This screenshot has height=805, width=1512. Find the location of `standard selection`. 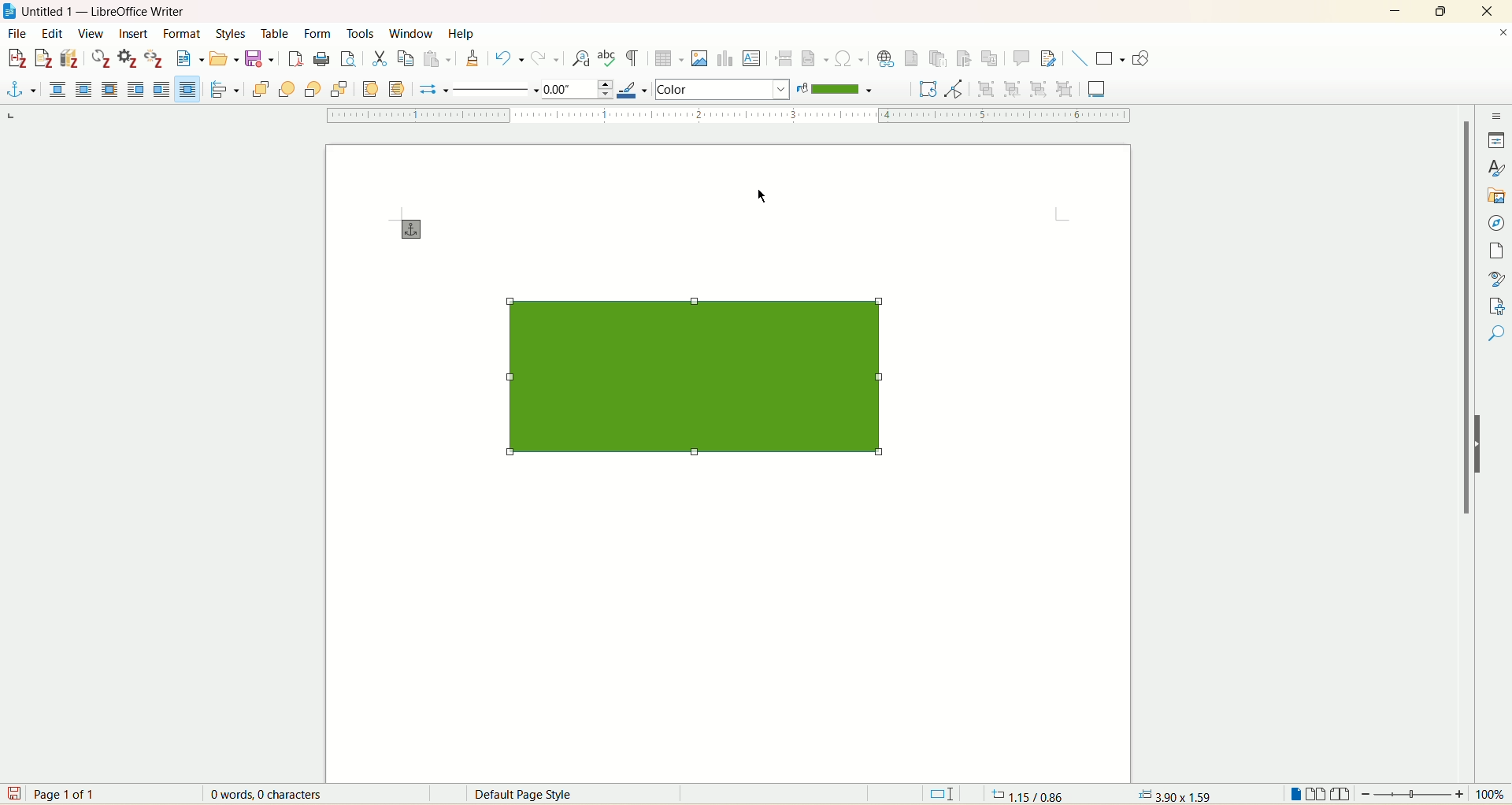

standard selection is located at coordinates (943, 795).